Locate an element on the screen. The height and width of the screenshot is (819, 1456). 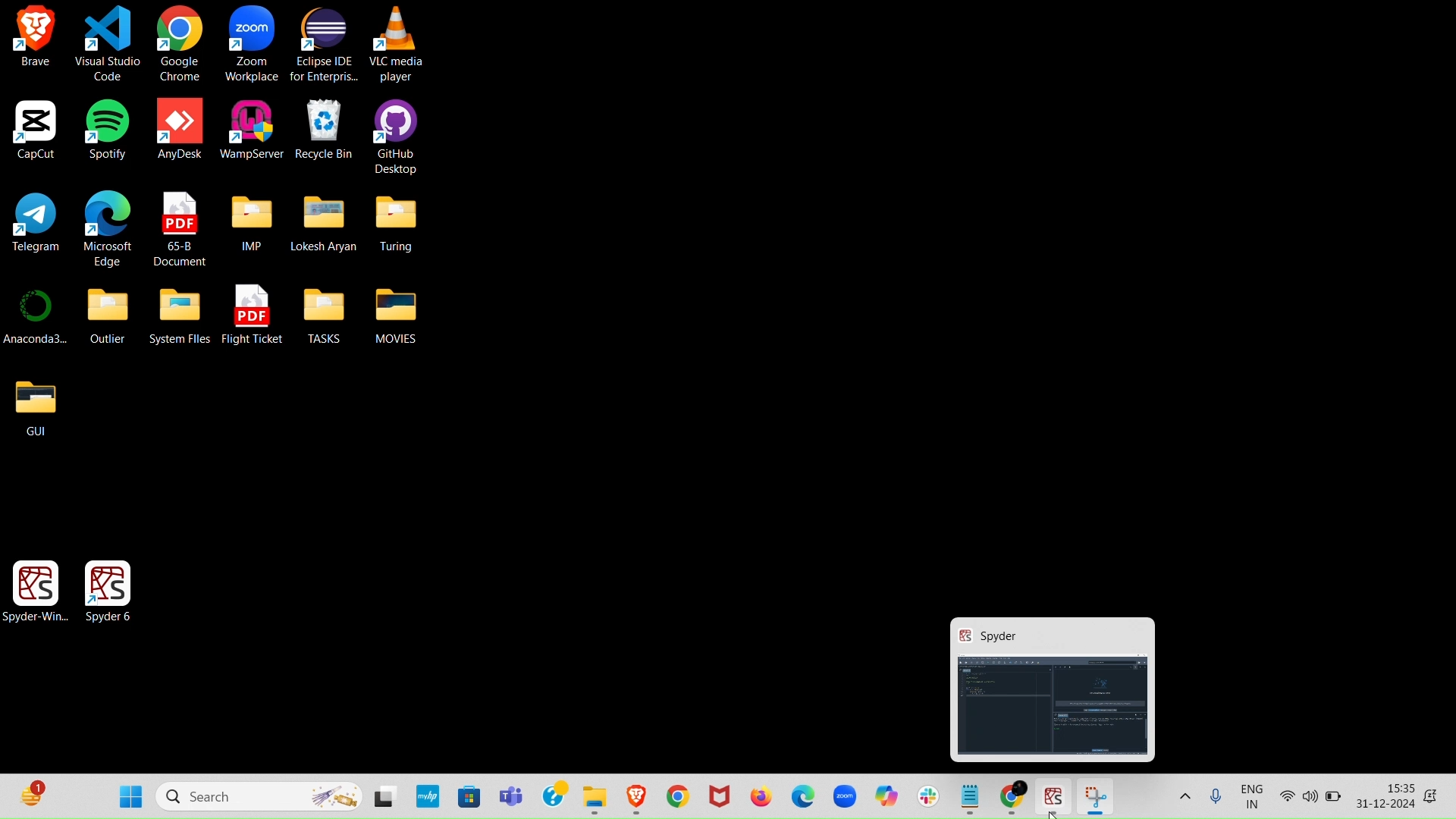
Movies is located at coordinates (397, 312).